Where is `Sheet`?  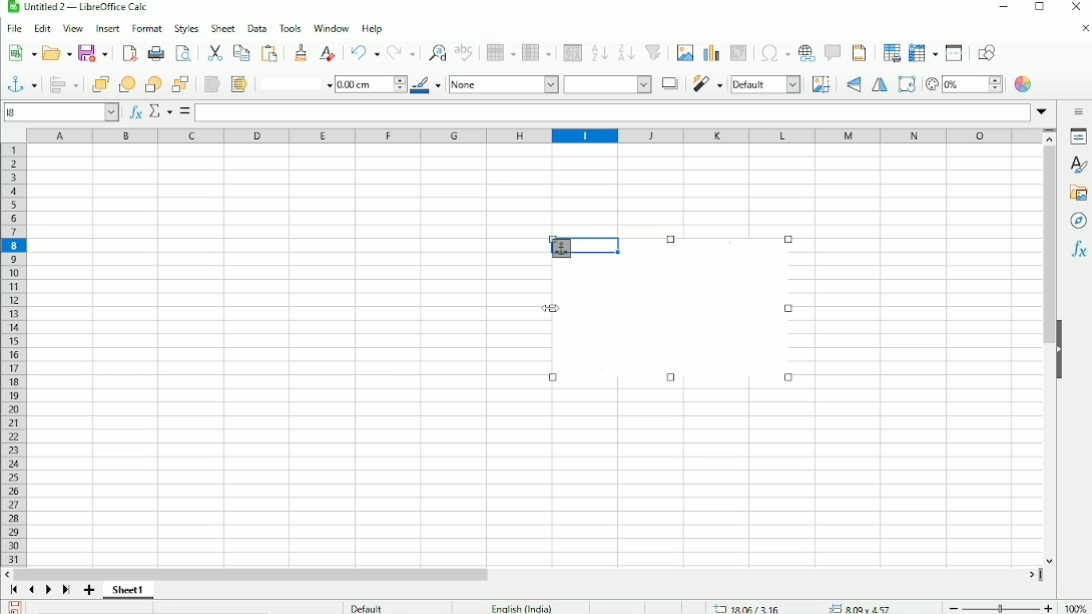 Sheet is located at coordinates (224, 28).